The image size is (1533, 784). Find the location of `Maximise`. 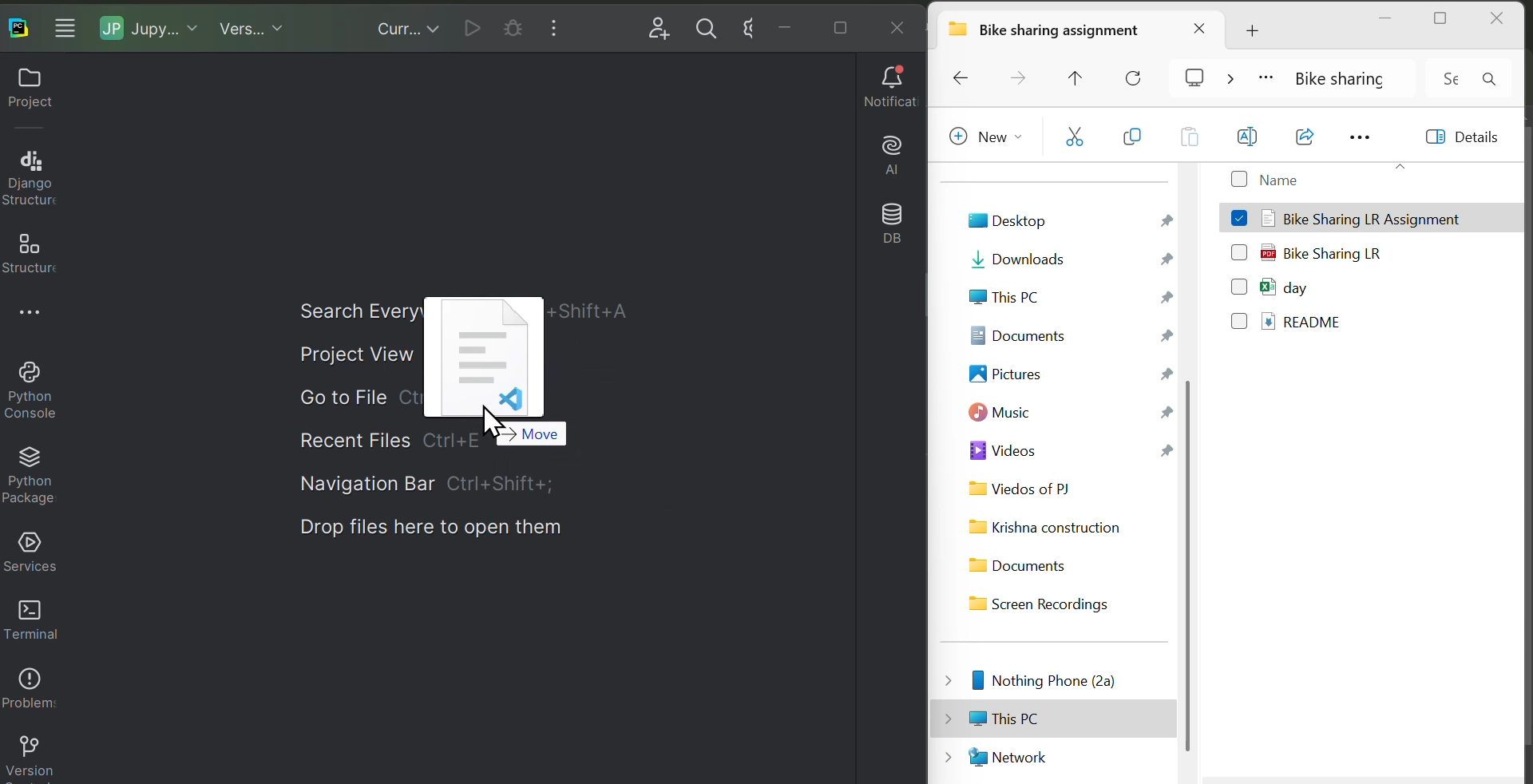

Maximise is located at coordinates (837, 26).